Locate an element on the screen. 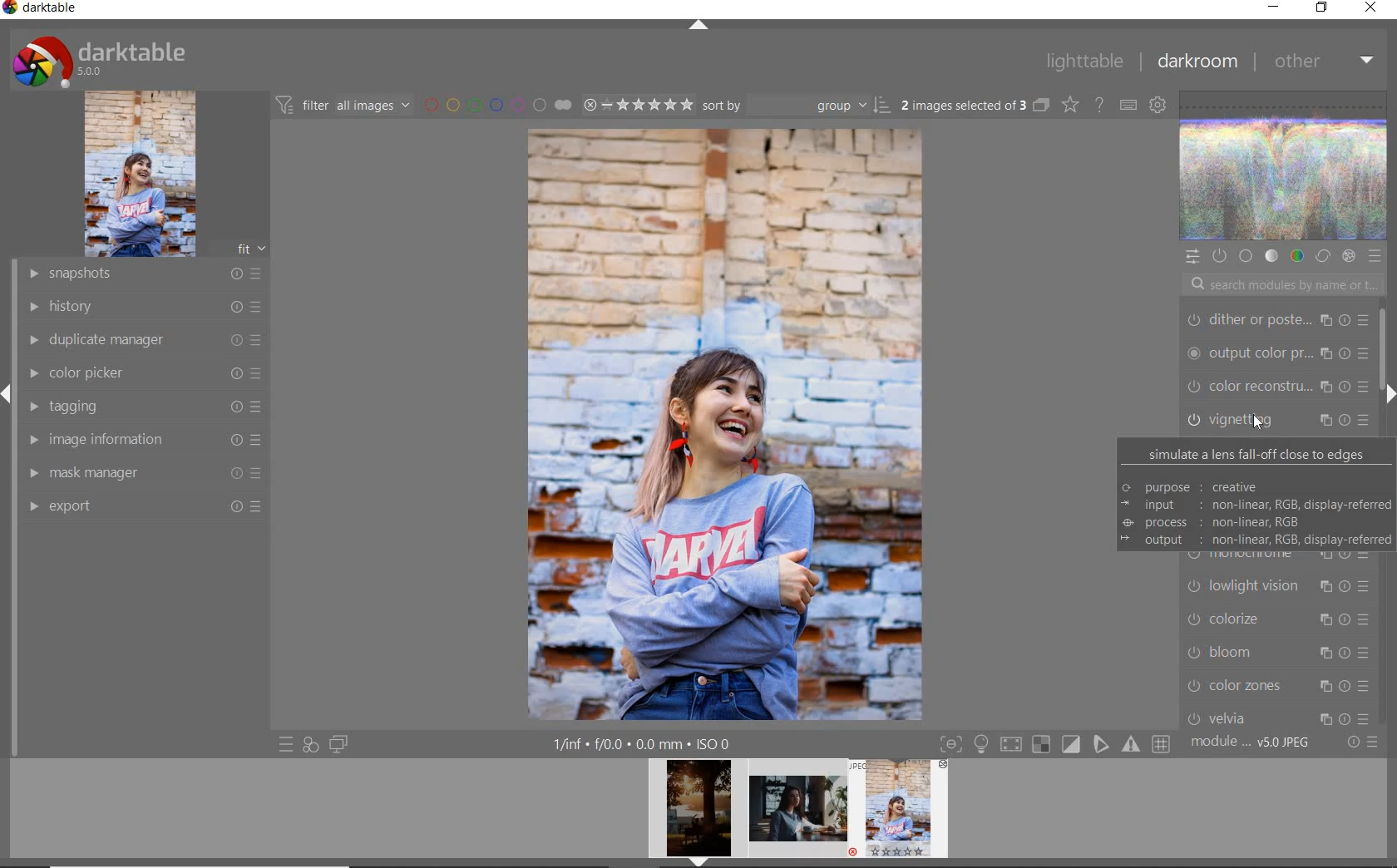 The image size is (1397, 868). SELECTED IMAGE RANGE RATING is located at coordinates (638, 103).